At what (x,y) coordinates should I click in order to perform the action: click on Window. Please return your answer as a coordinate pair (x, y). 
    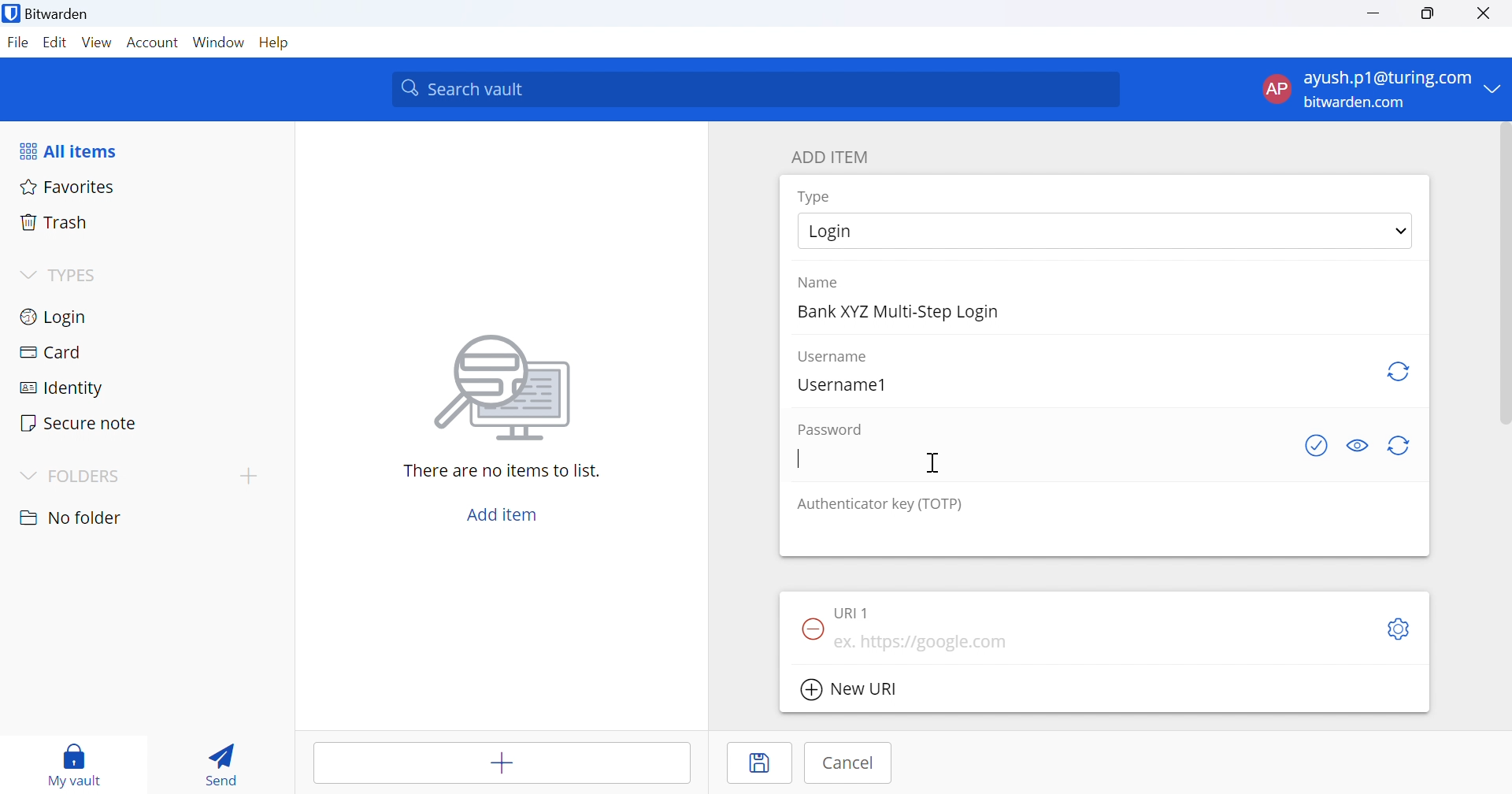
    Looking at the image, I should click on (218, 42).